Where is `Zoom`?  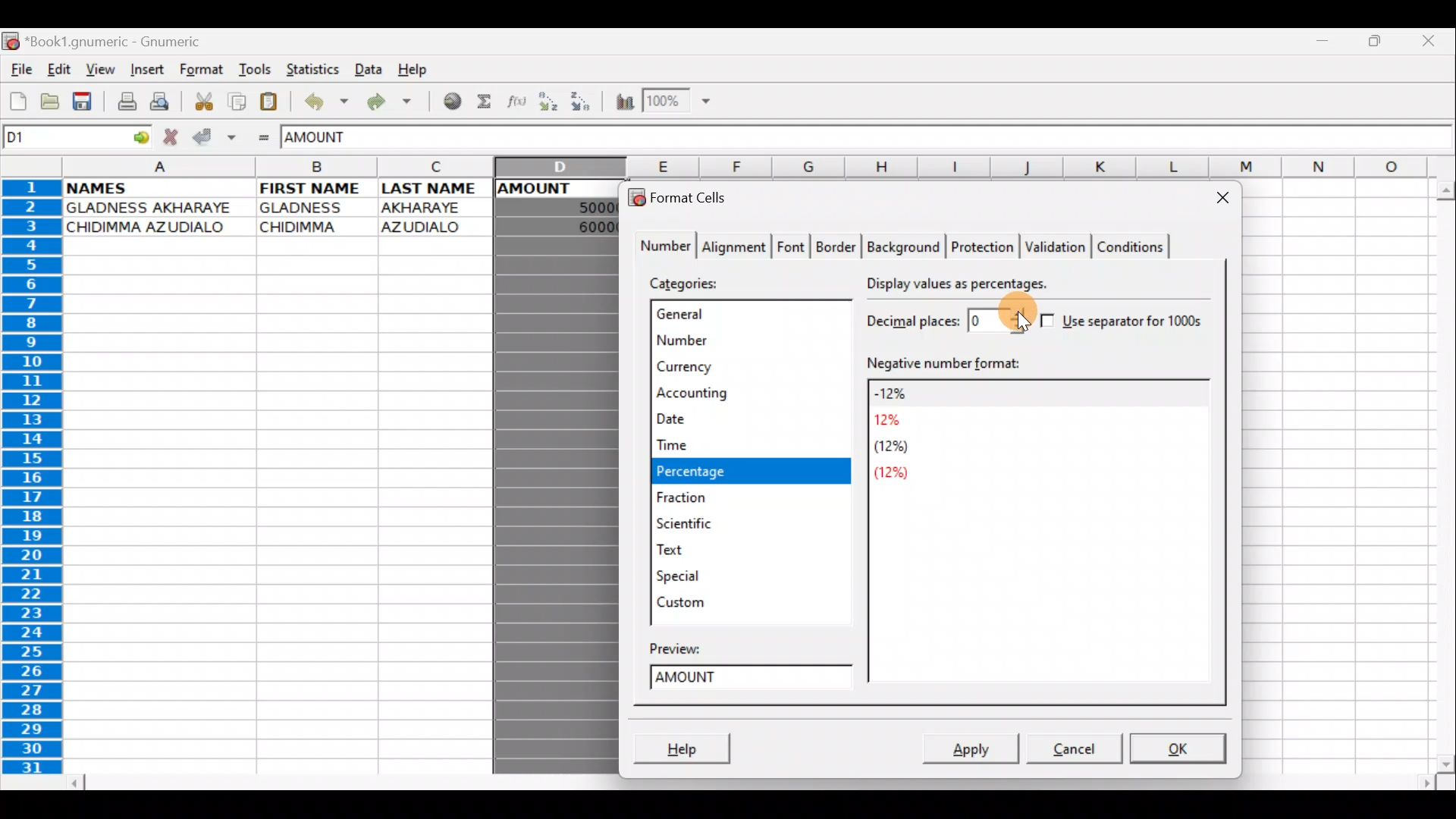
Zoom is located at coordinates (679, 102).